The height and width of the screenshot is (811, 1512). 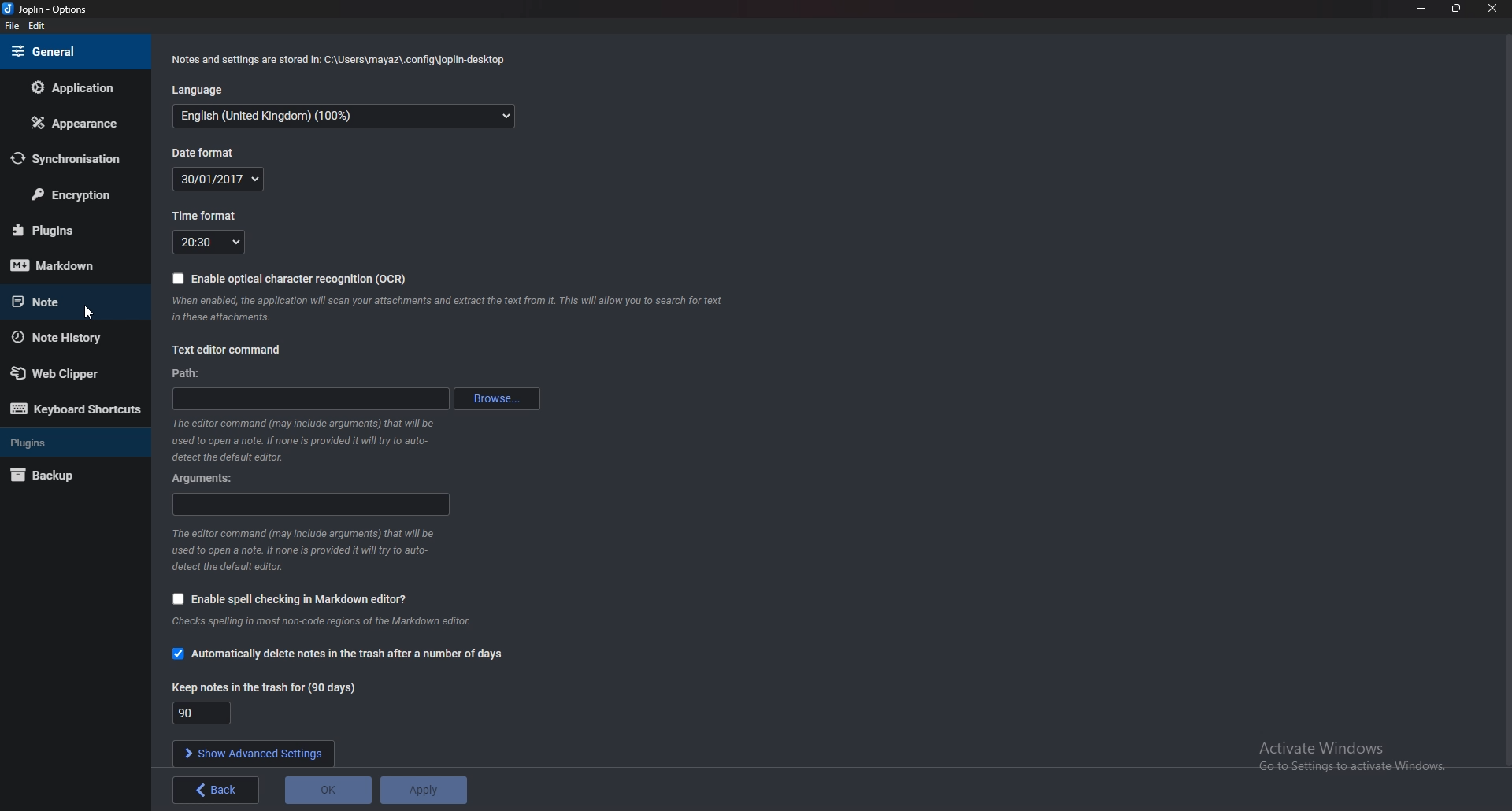 What do you see at coordinates (203, 88) in the screenshot?
I see `Language` at bounding box center [203, 88].